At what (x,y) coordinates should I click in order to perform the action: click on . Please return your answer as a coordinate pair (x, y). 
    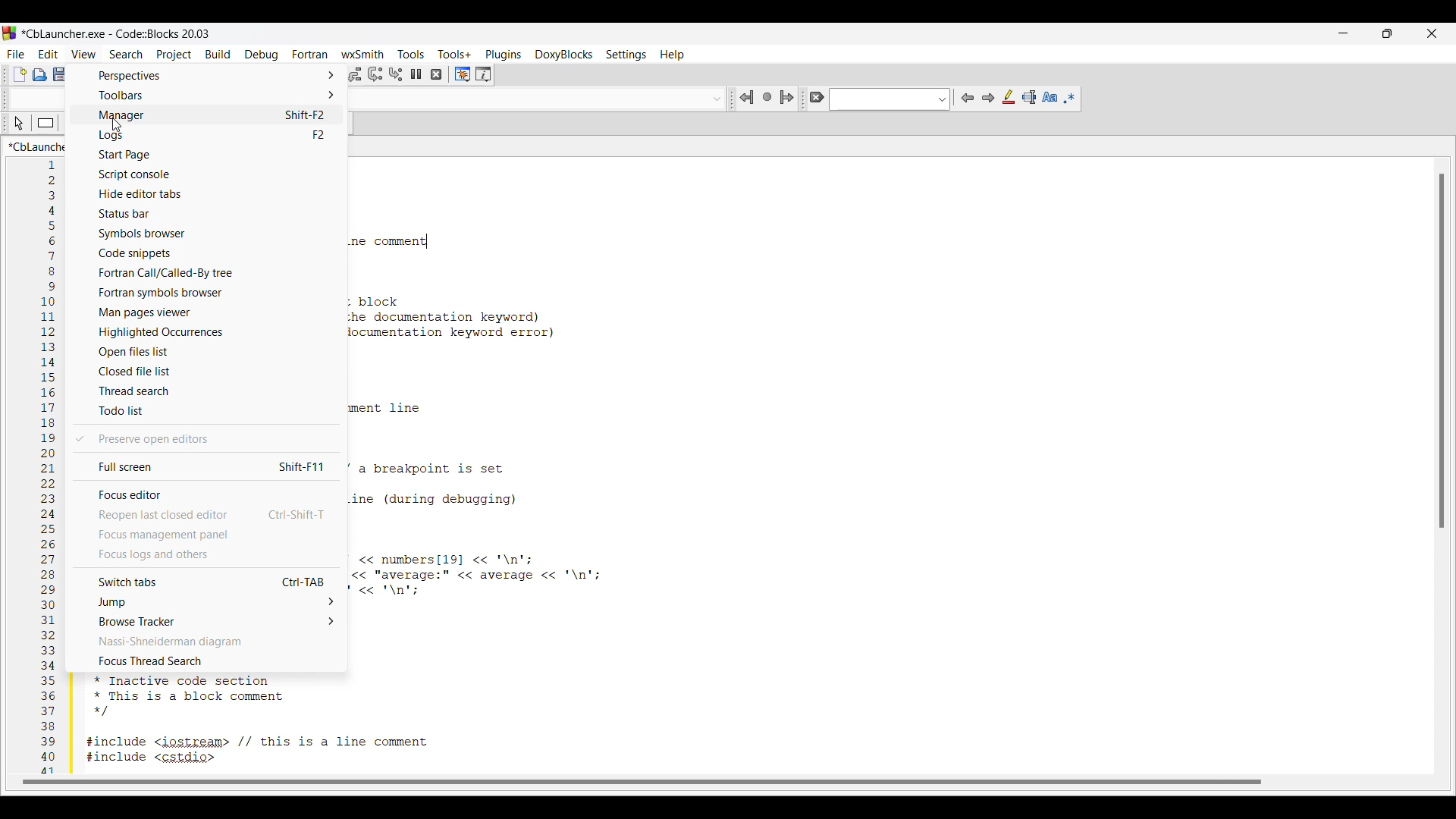
    Looking at the image, I should click on (374, 74).